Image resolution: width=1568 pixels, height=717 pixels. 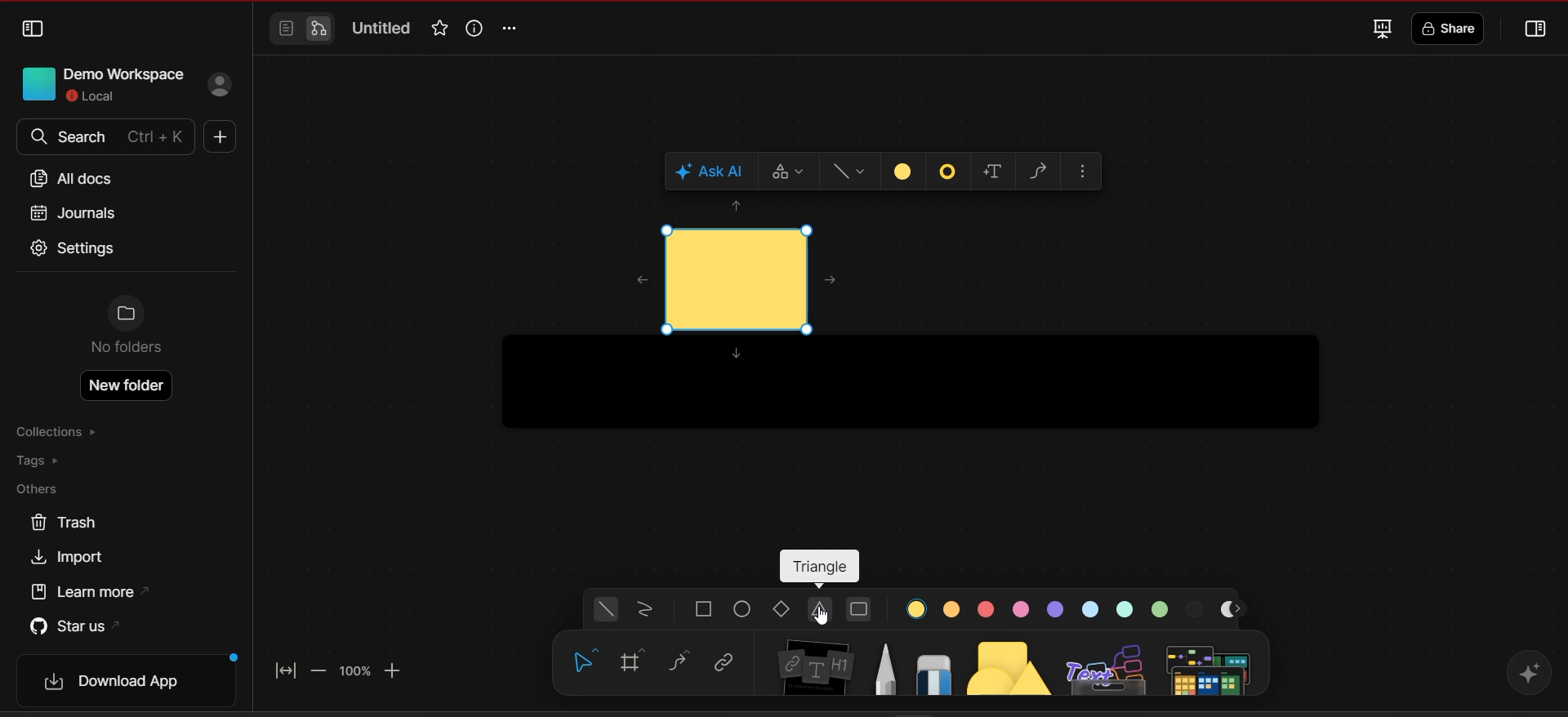 What do you see at coordinates (217, 139) in the screenshot?
I see `new doc` at bounding box center [217, 139].